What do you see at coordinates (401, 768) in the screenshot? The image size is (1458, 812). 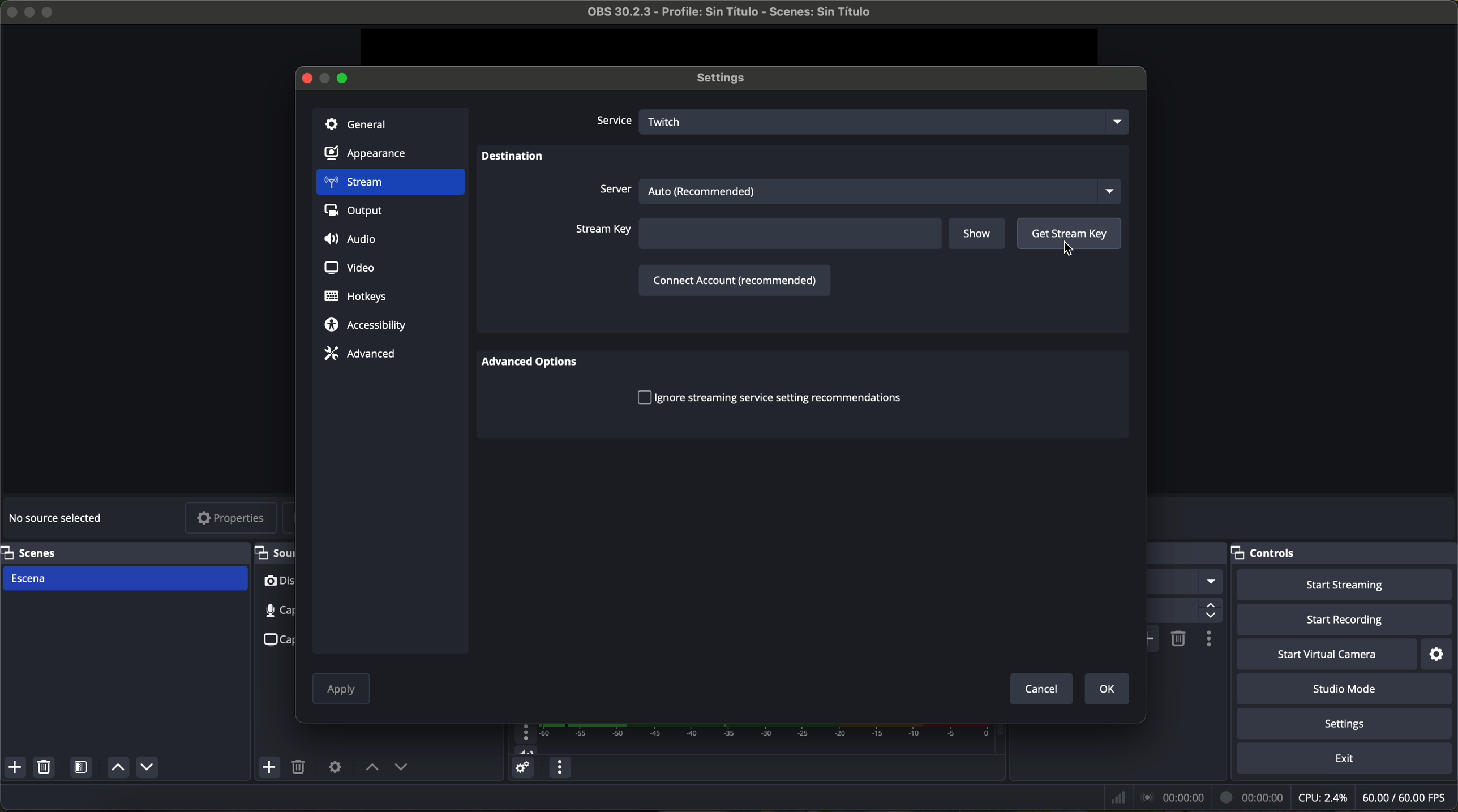 I see `move source down` at bounding box center [401, 768].